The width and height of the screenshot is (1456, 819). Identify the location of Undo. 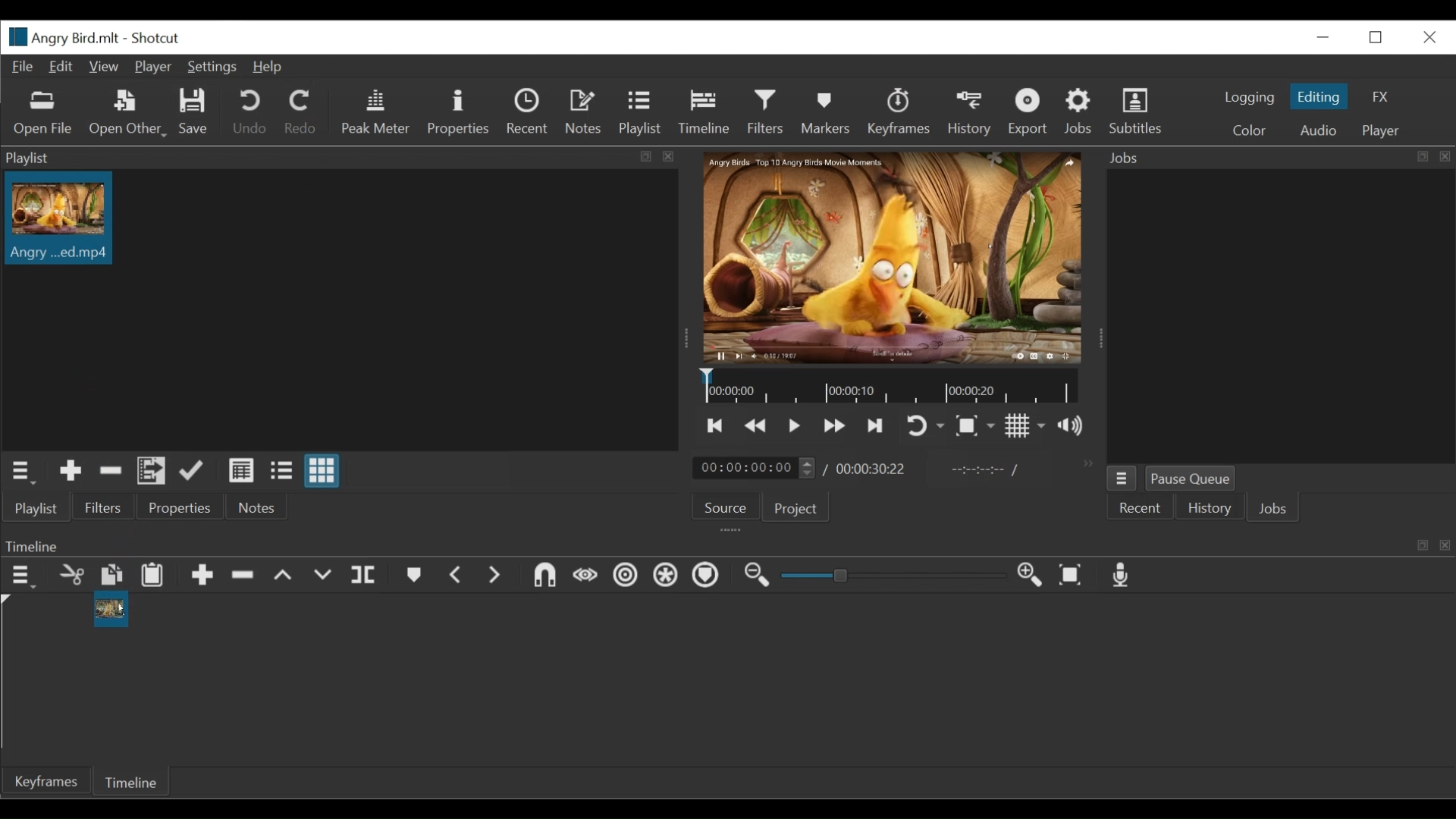
(249, 112).